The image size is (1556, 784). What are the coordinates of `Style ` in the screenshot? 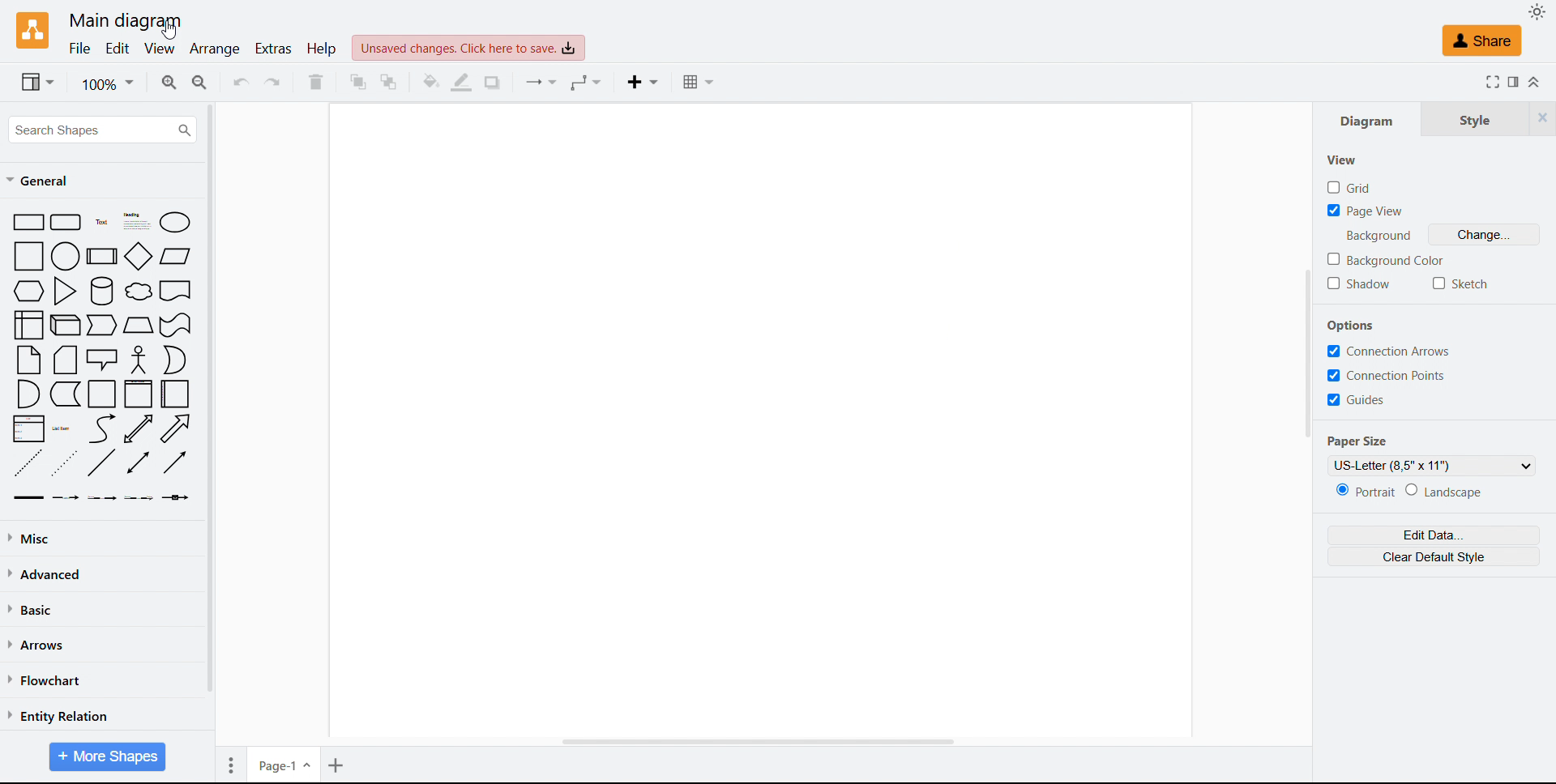 It's located at (1477, 117).